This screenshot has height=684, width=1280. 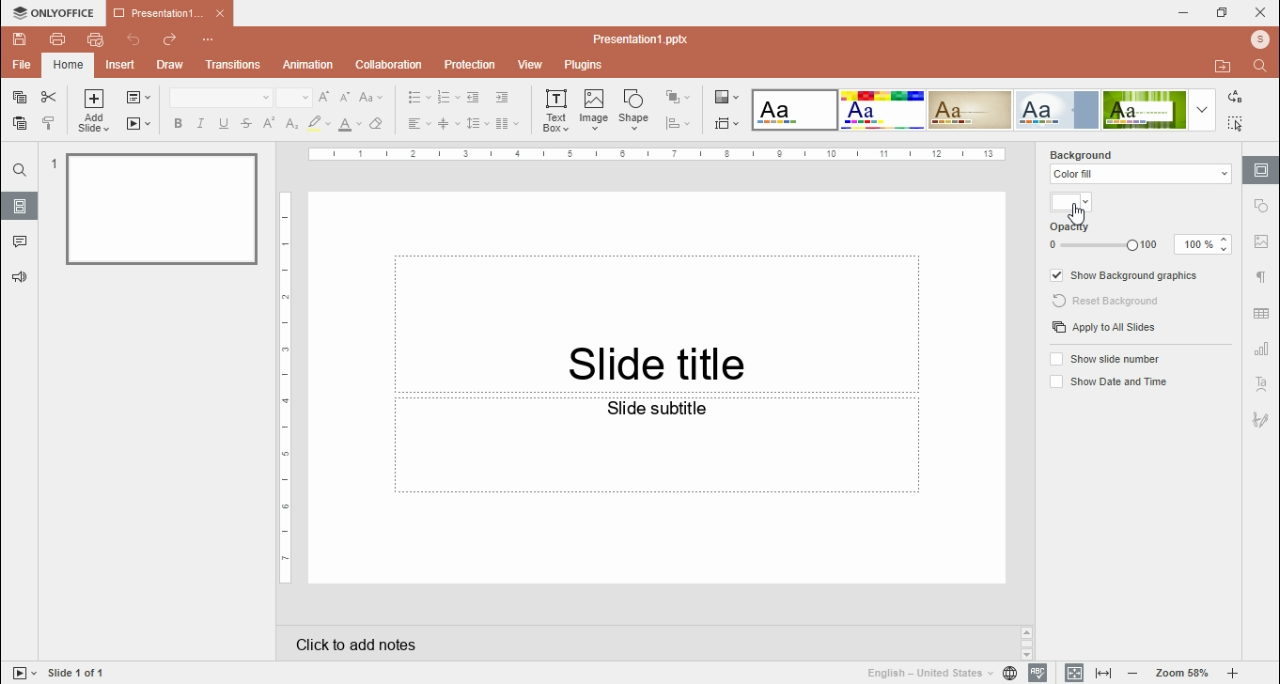 I want to click on checkbox: show background graphics, so click(x=1125, y=274).